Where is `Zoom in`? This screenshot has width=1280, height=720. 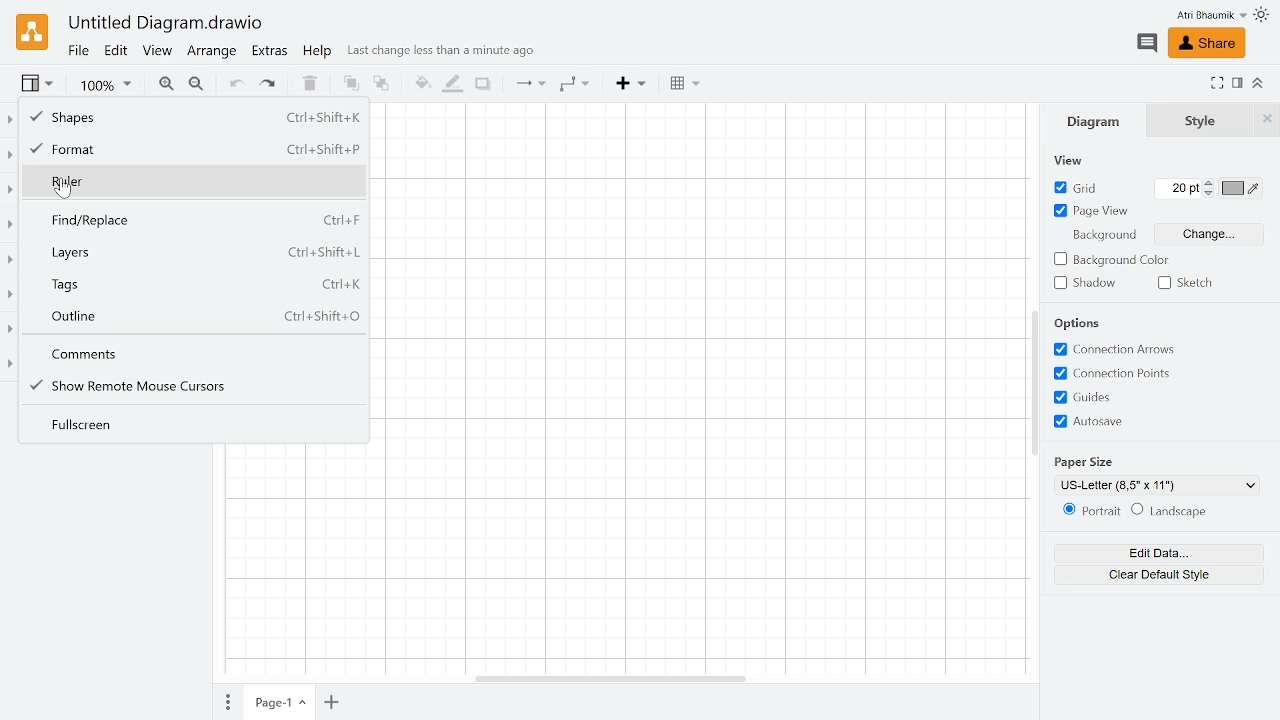 Zoom in is located at coordinates (165, 84).